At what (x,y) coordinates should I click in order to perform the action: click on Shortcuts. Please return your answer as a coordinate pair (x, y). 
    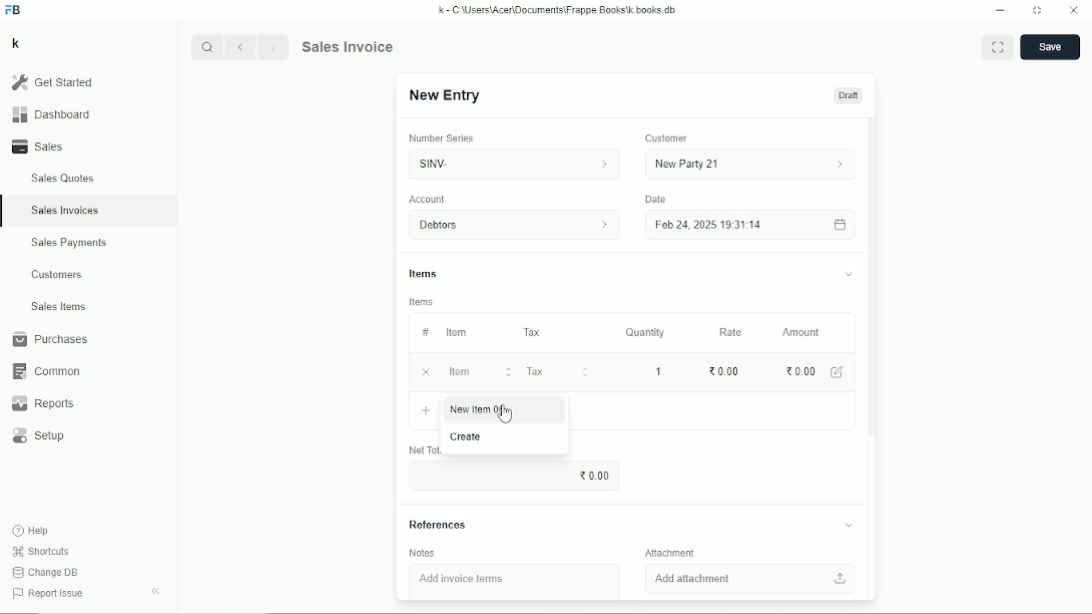
    Looking at the image, I should click on (40, 551).